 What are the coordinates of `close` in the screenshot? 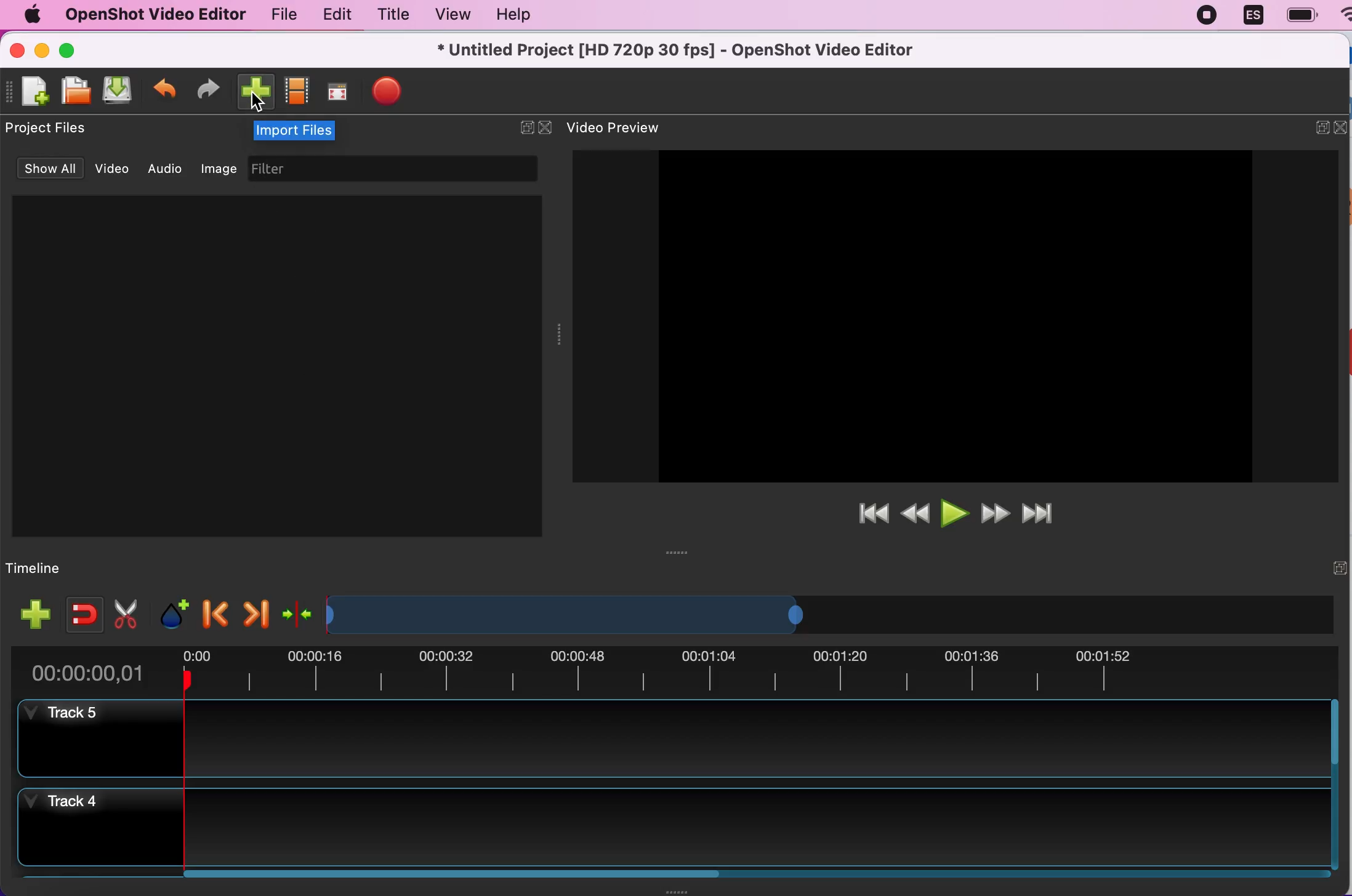 It's located at (545, 126).